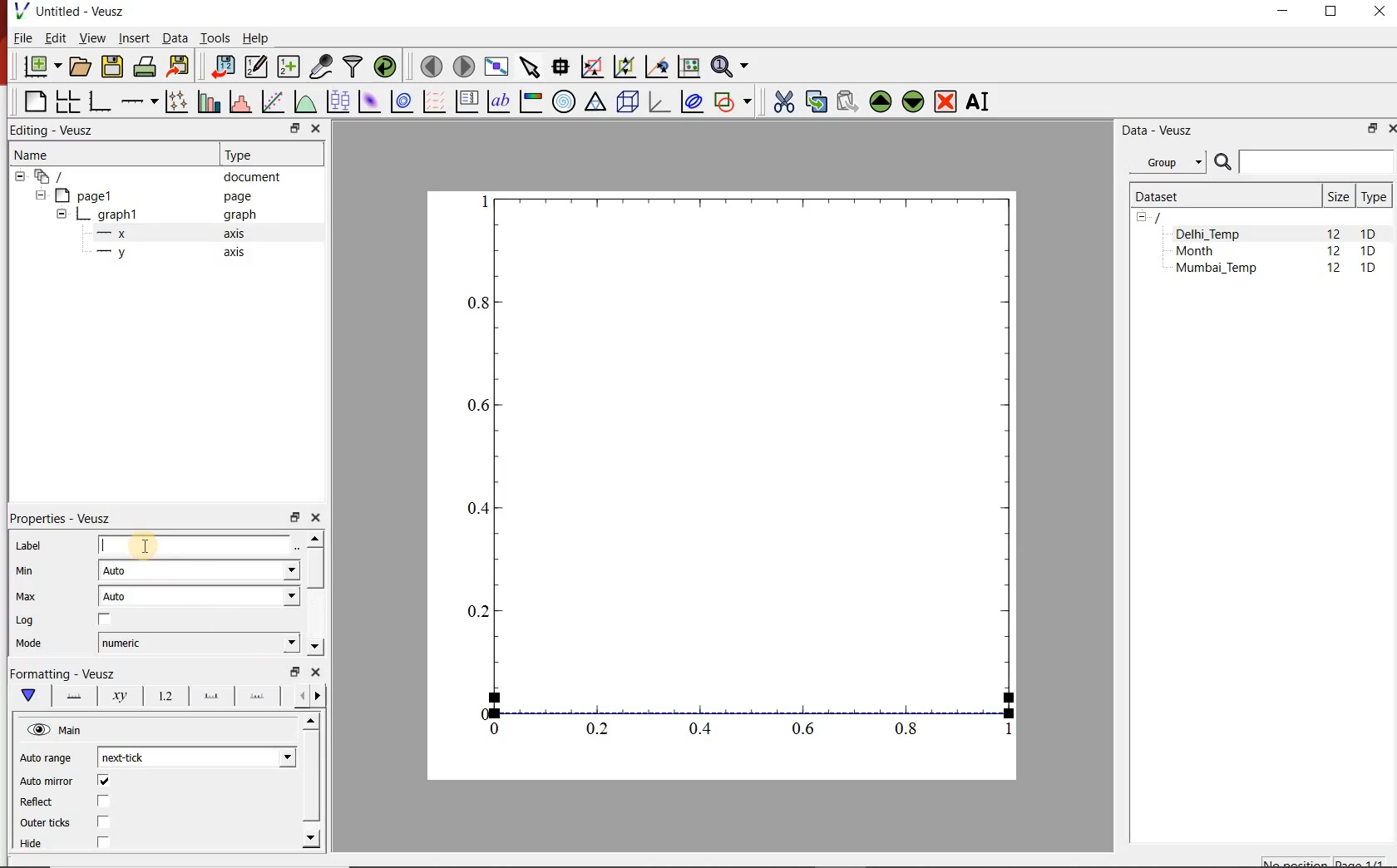 Image resolution: width=1397 pixels, height=868 pixels. I want to click on restore, so click(297, 671).